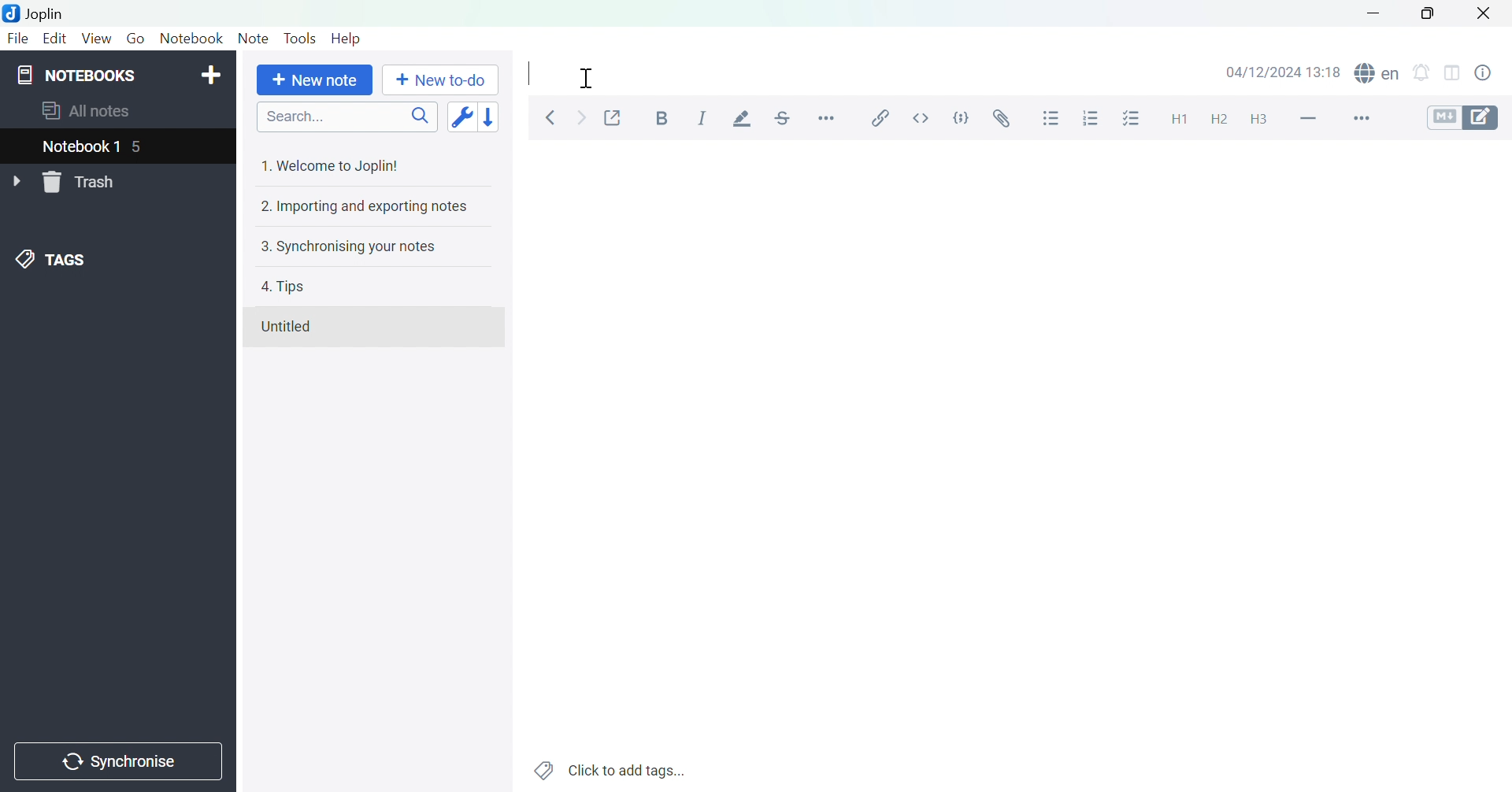 The width and height of the screenshot is (1512, 792). Describe the element at coordinates (1425, 76) in the screenshot. I see `set alarm` at that location.